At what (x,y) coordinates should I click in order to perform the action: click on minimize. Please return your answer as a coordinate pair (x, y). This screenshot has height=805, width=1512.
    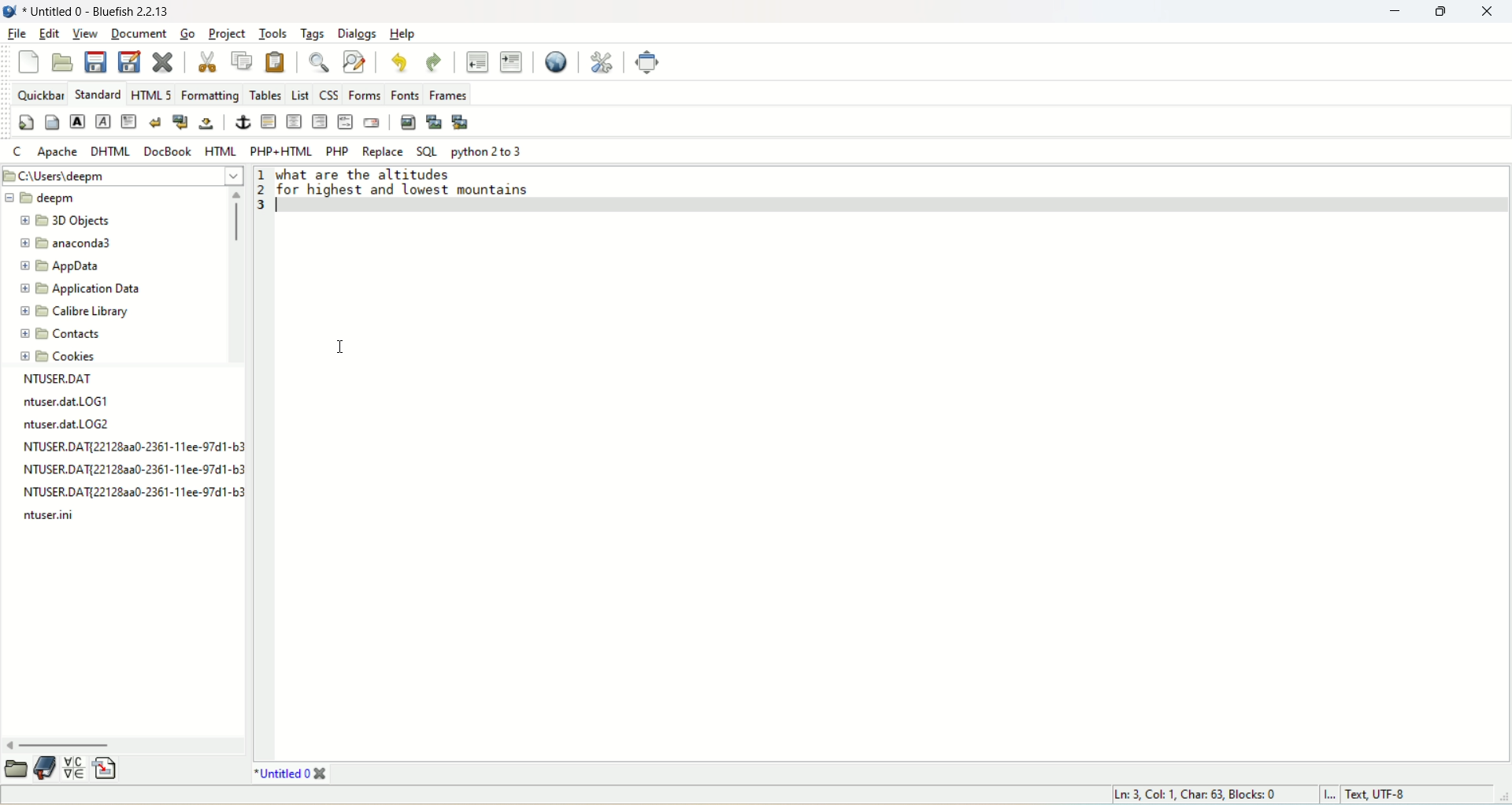
    Looking at the image, I should click on (1392, 13).